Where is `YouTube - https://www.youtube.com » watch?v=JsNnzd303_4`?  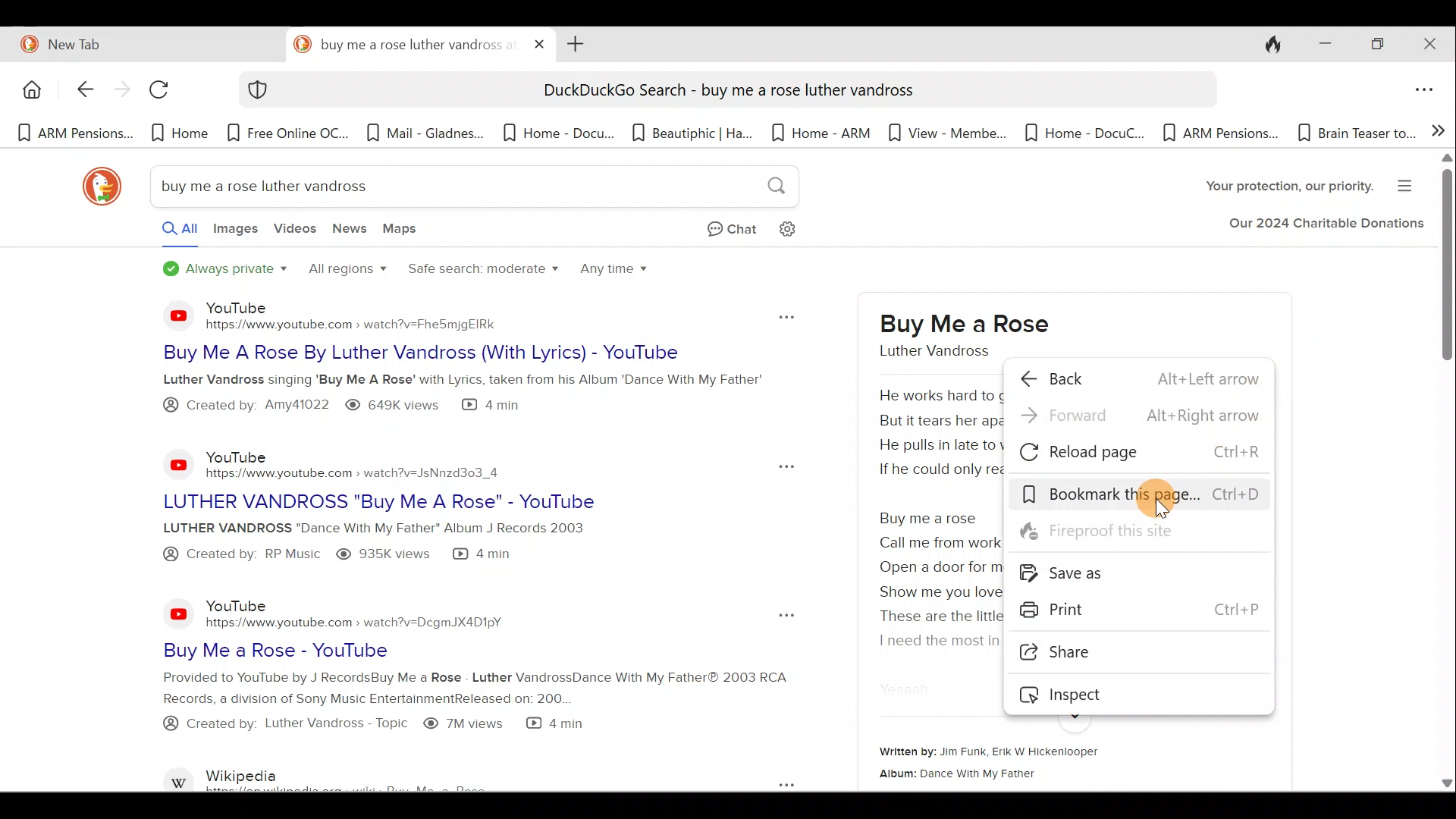 YouTube - https://www.youtube.com » watch?v=JsNnzd303_4 is located at coordinates (358, 460).